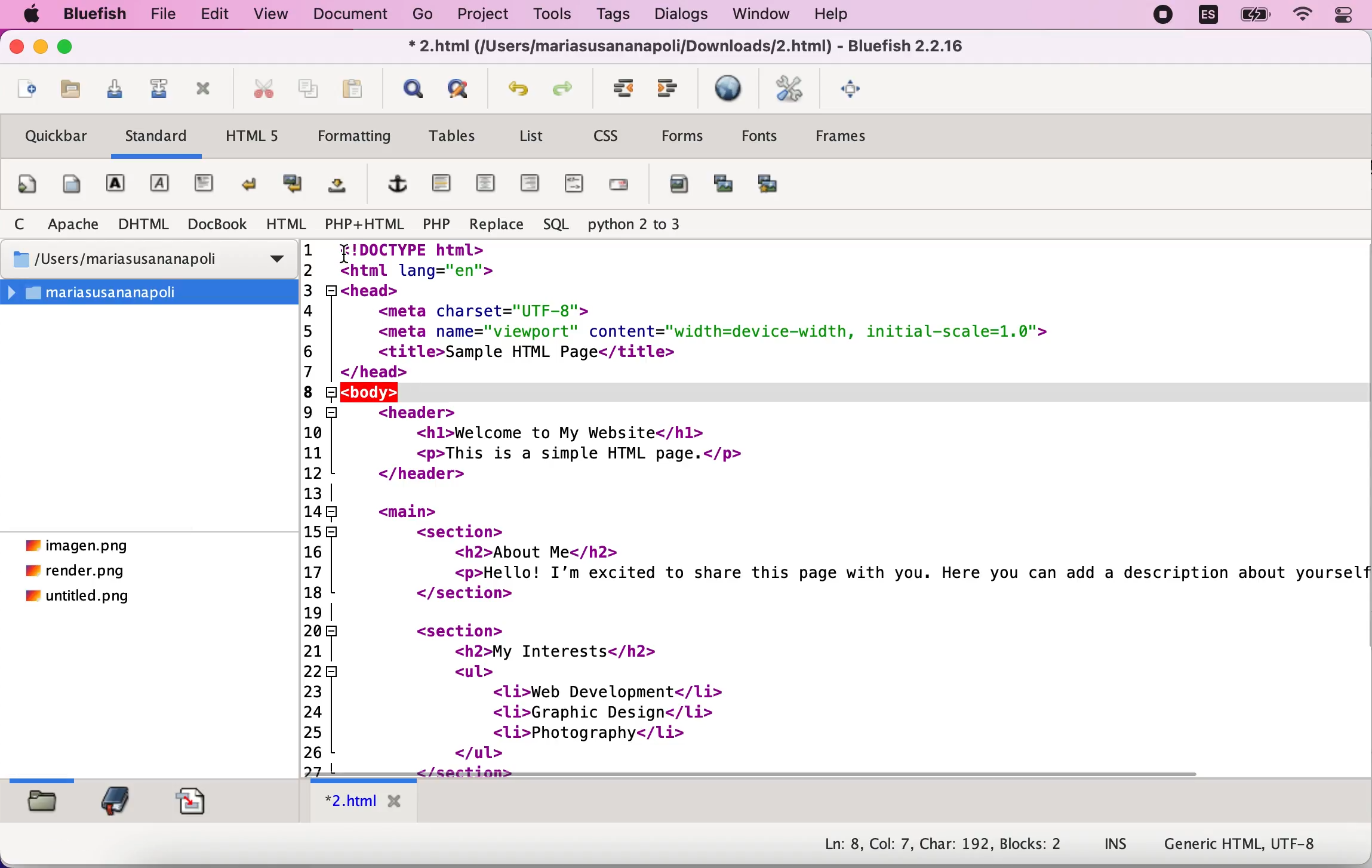 This screenshot has height=868, width=1372. What do you see at coordinates (354, 134) in the screenshot?
I see `formatting` at bounding box center [354, 134].